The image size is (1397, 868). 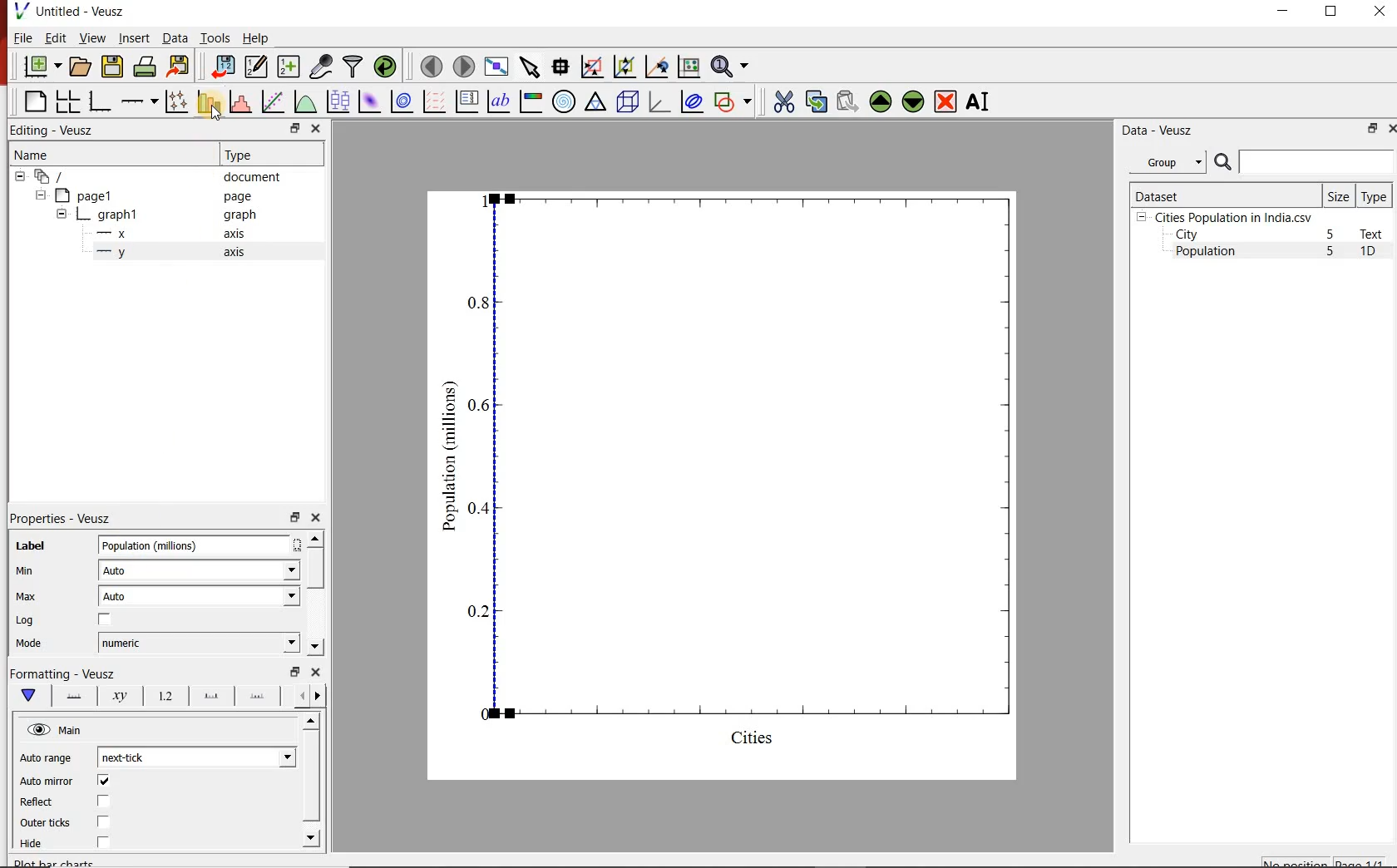 What do you see at coordinates (1339, 195) in the screenshot?
I see `Size` at bounding box center [1339, 195].